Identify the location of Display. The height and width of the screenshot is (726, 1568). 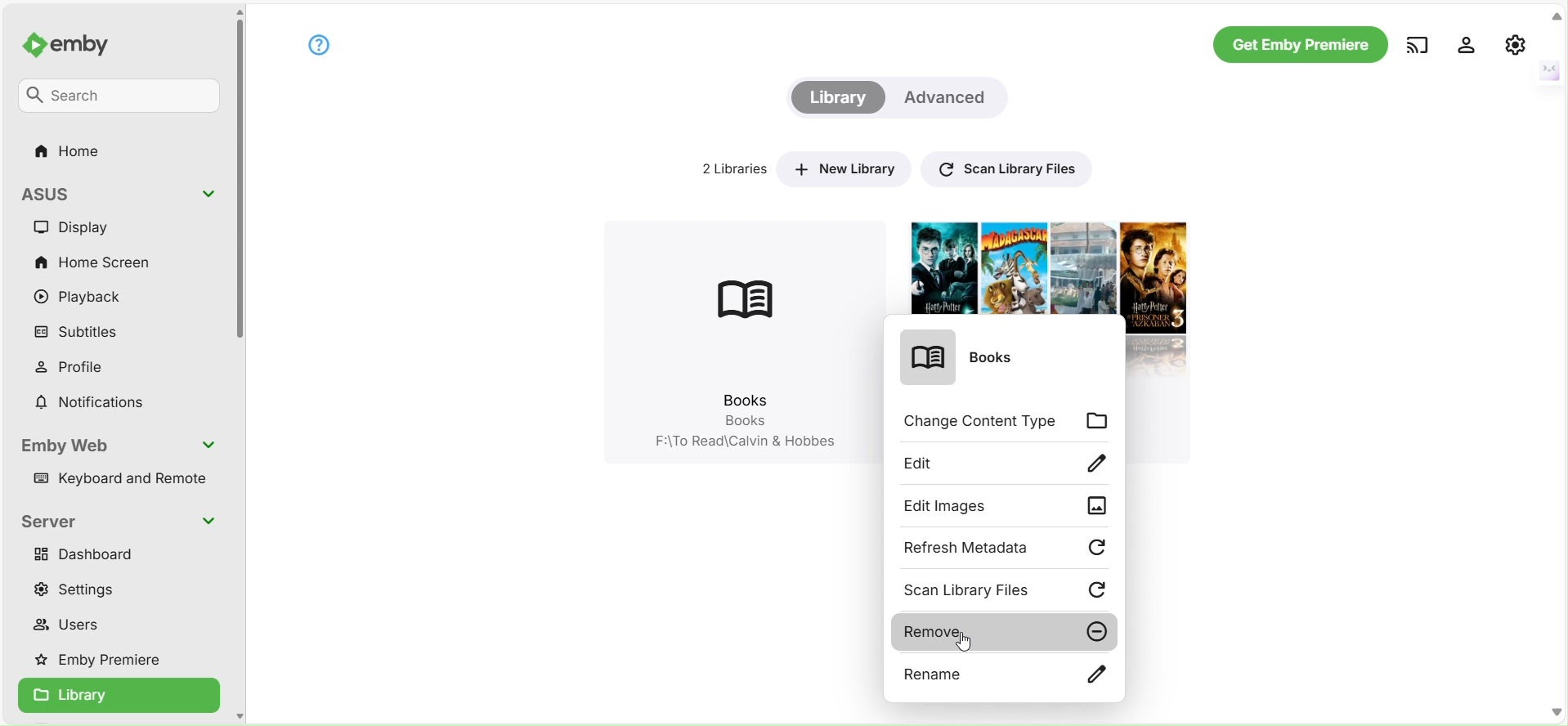
(84, 227).